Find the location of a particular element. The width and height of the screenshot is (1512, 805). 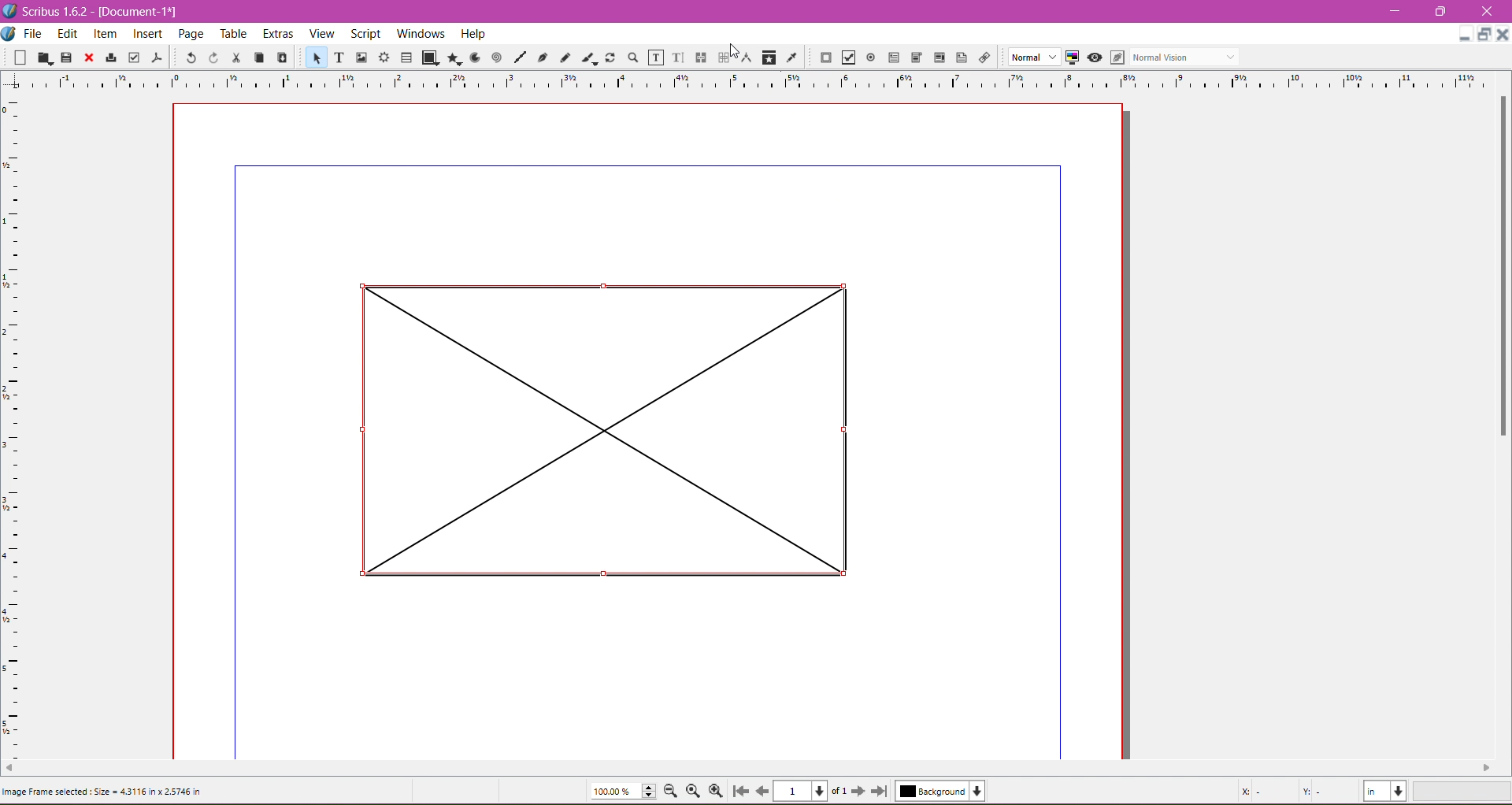

Edit is located at coordinates (67, 35).